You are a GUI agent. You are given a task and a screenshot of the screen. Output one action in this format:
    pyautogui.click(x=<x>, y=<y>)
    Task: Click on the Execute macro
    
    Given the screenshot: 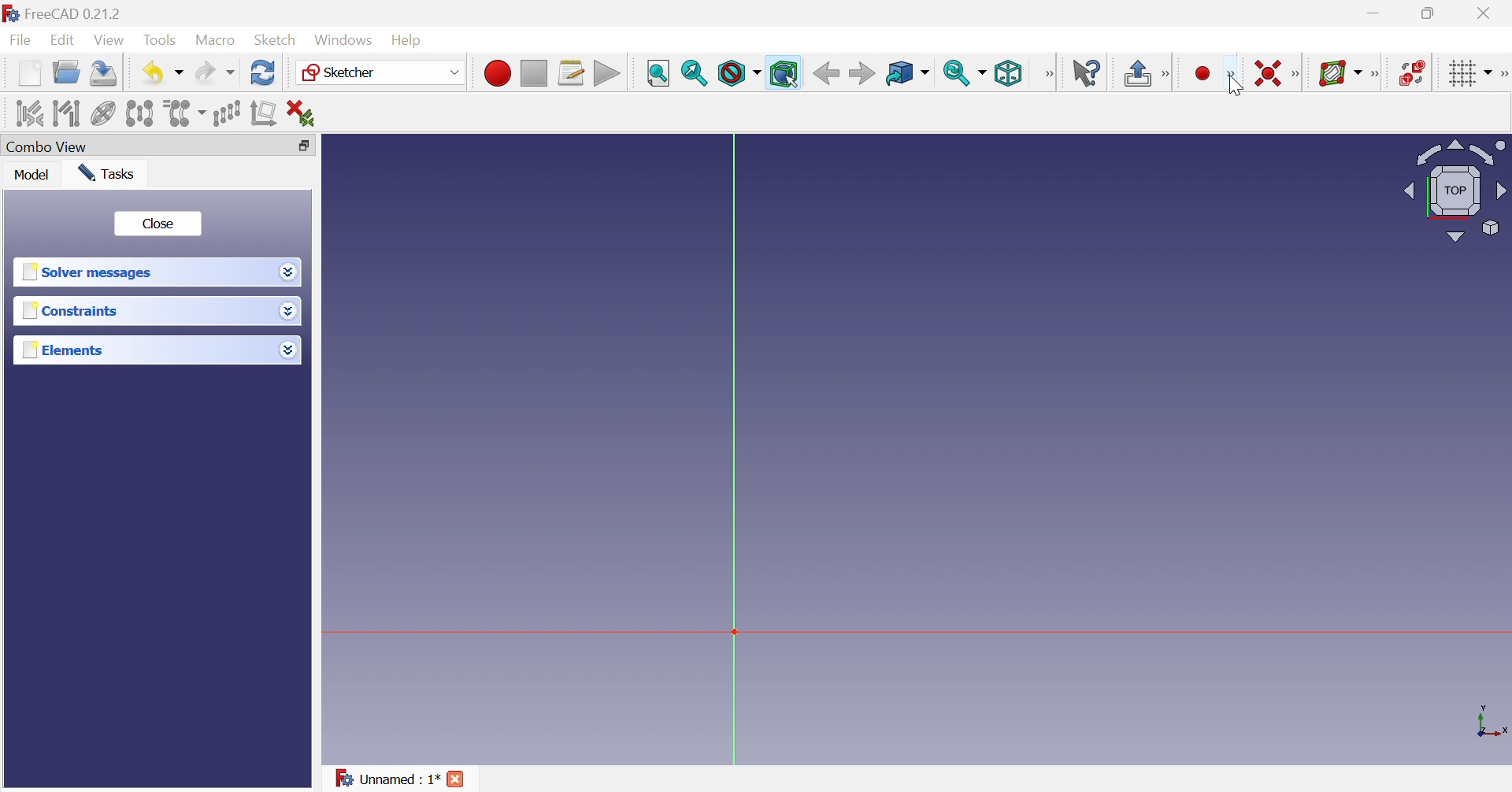 What is the action you would take?
    pyautogui.click(x=607, y=74)
    